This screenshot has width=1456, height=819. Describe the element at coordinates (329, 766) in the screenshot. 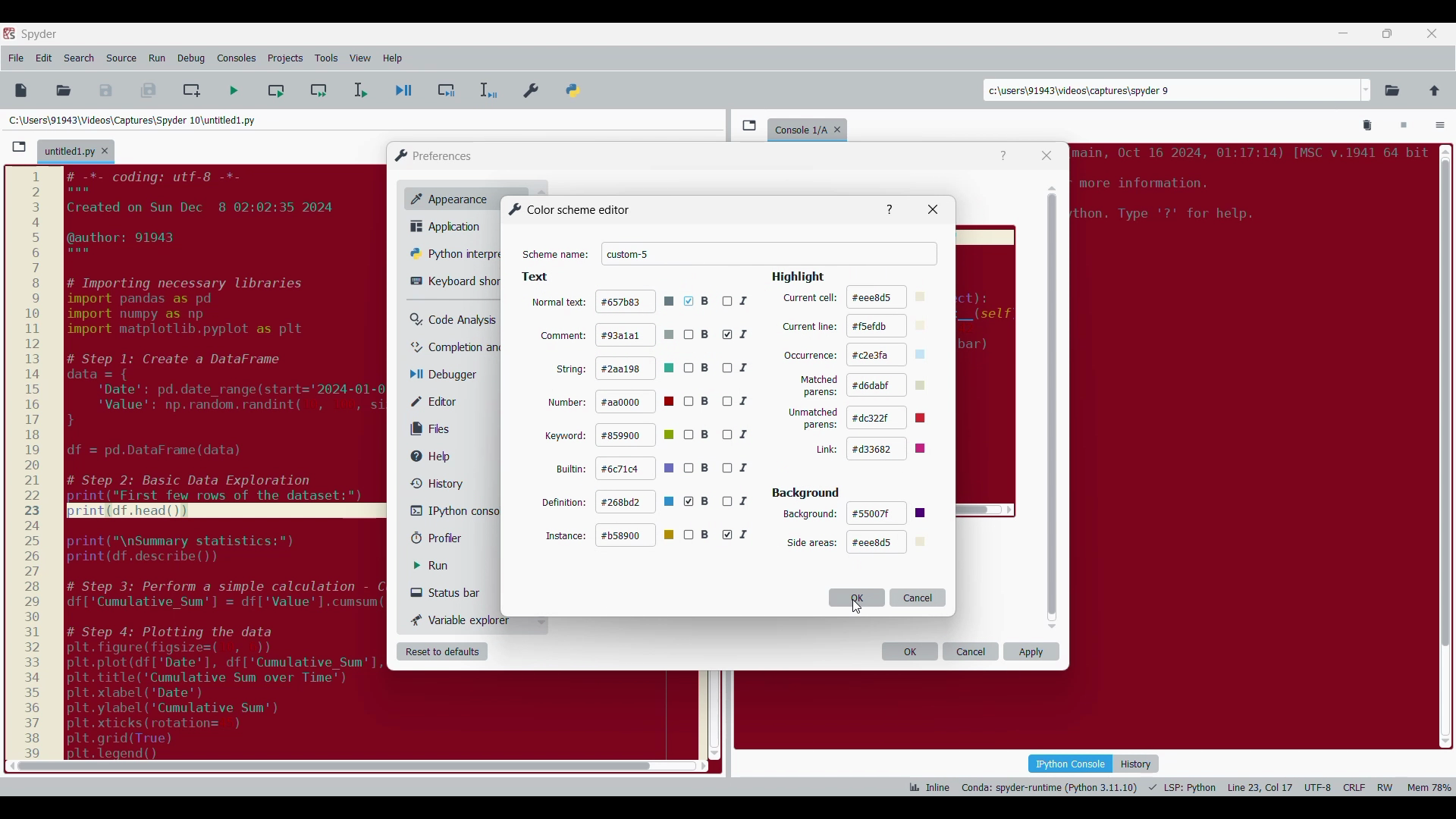

I see `scroll bar` at that location.